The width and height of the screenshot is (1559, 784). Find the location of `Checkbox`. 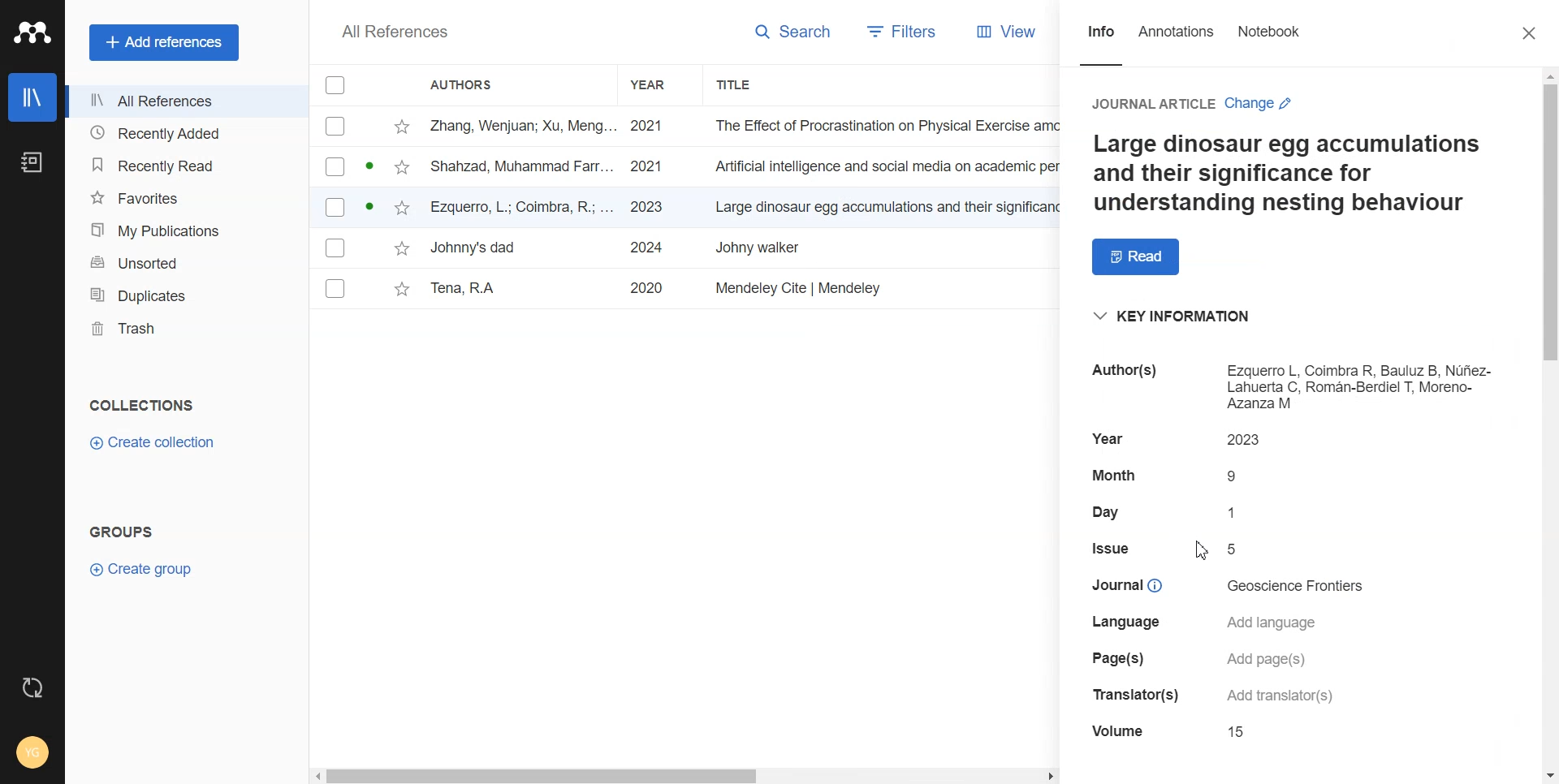

Checkbox is located at coordinates (335, 167).